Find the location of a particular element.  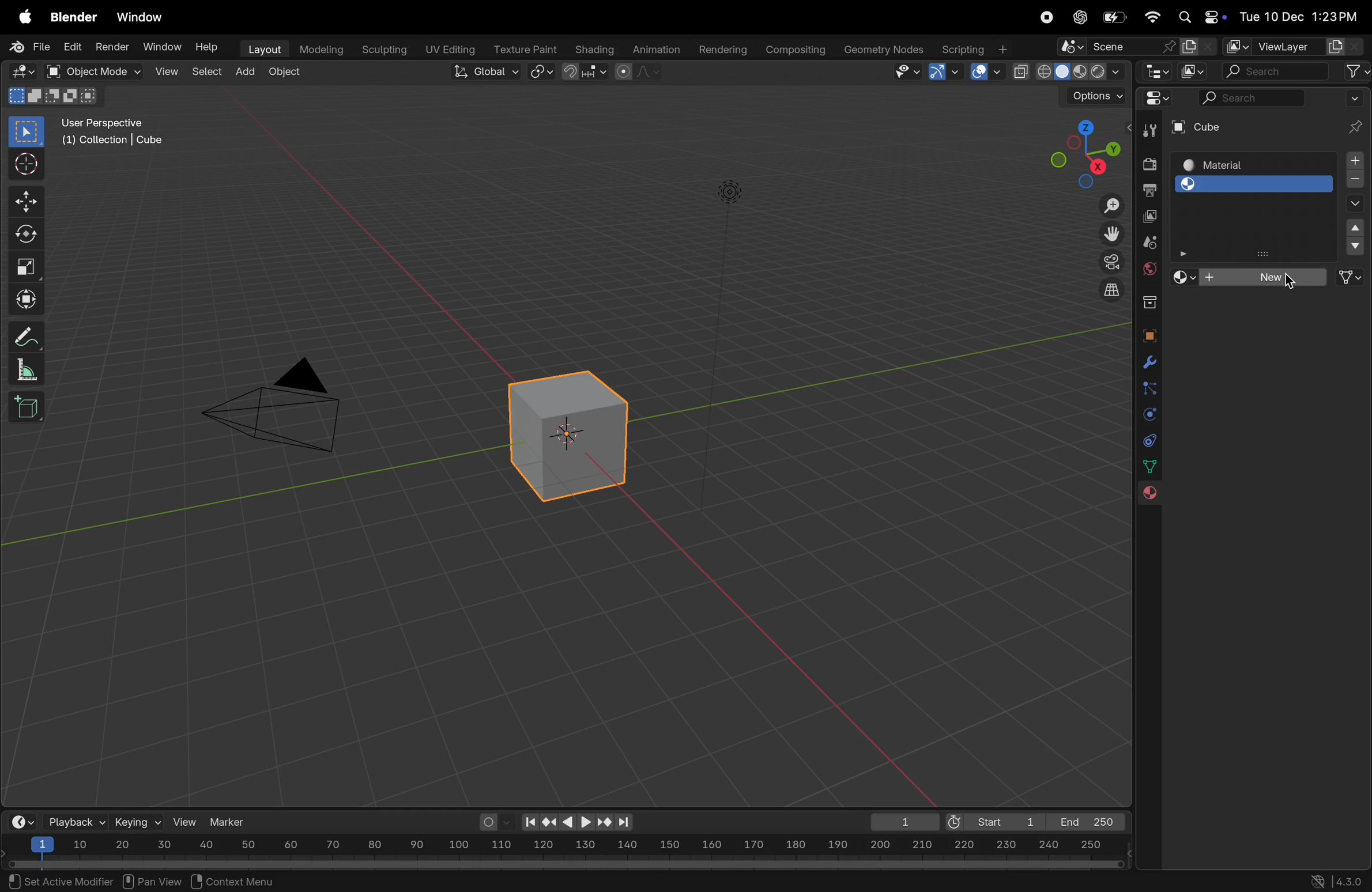

Sculpting is located at coordinates (379, 47).